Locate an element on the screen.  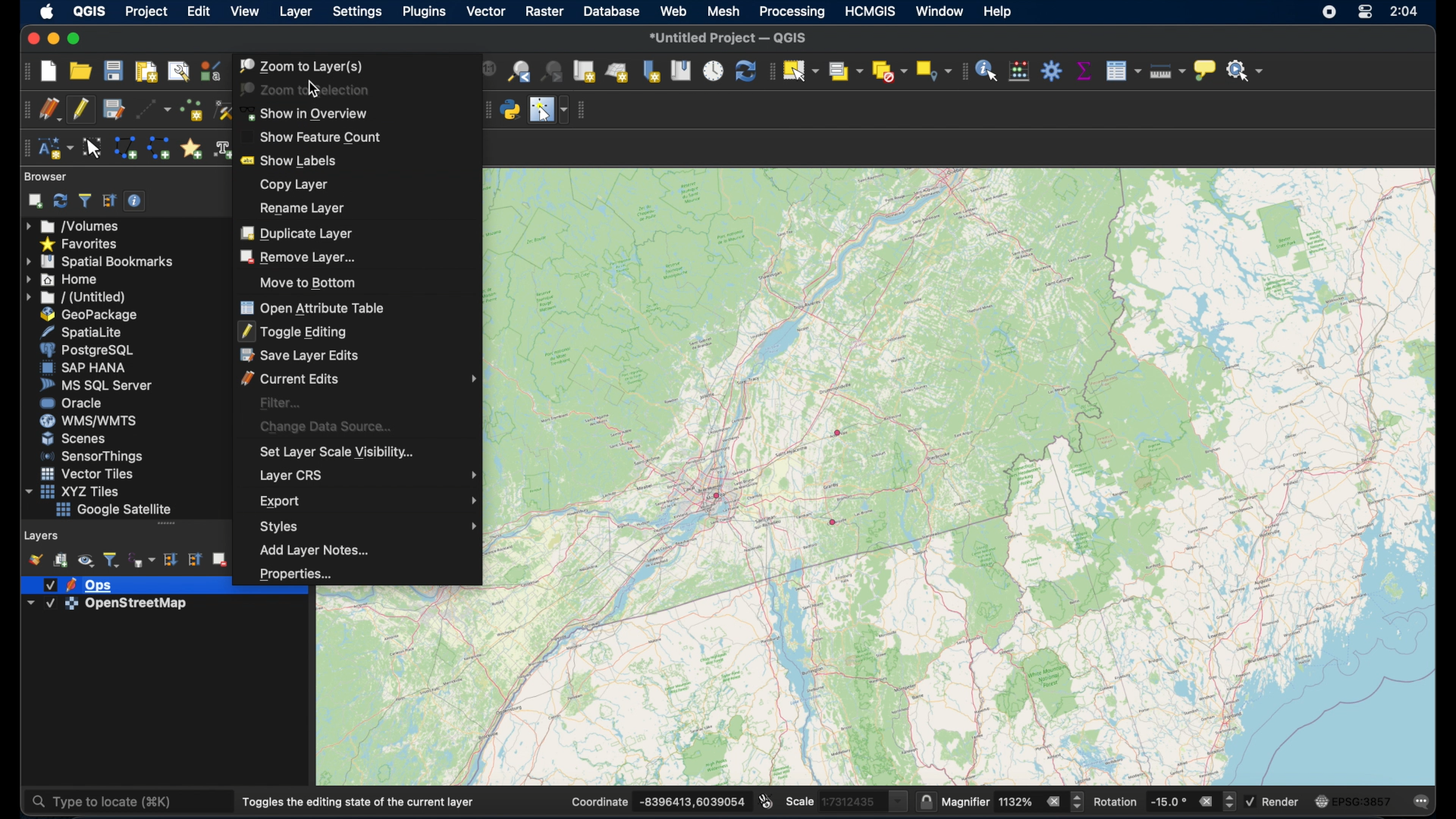
add selected layer is located at coordinates (33, 202).